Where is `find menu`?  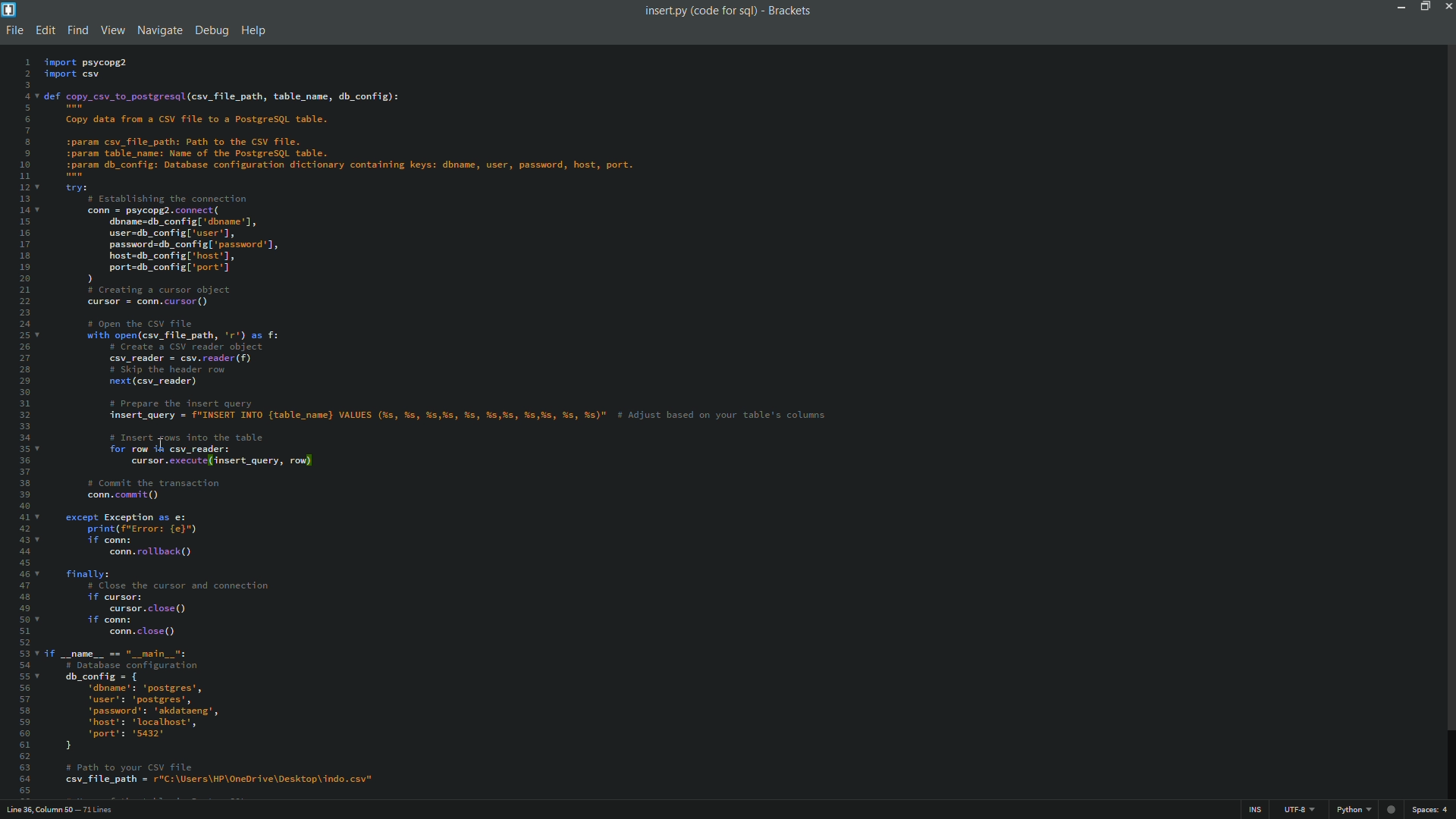 find menu is located at coordinates (76, 29).